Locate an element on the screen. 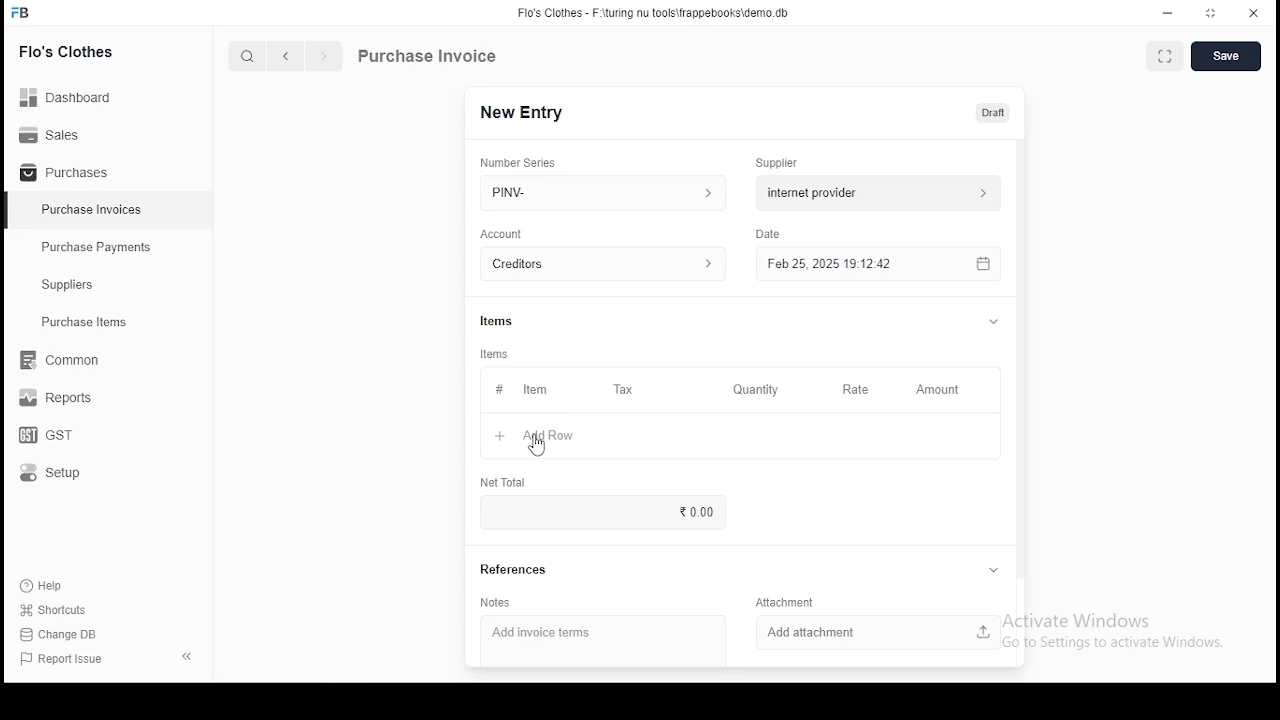  close pane is located at coordinates (185, 655).